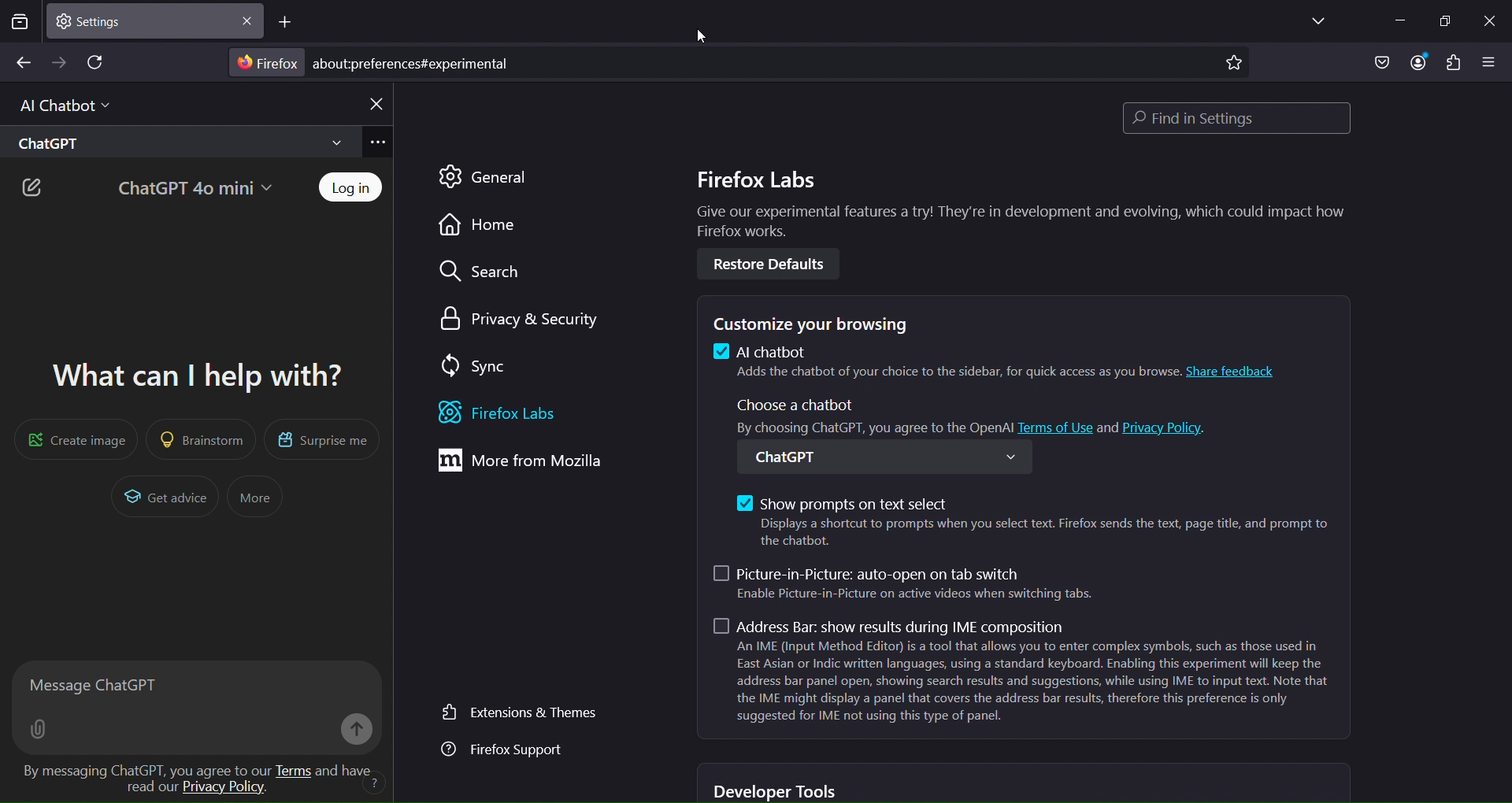  What do you see at coordinates (1313, 22) in the screenshot?
I see `list all tabs` at bounding box center [1313, 22].